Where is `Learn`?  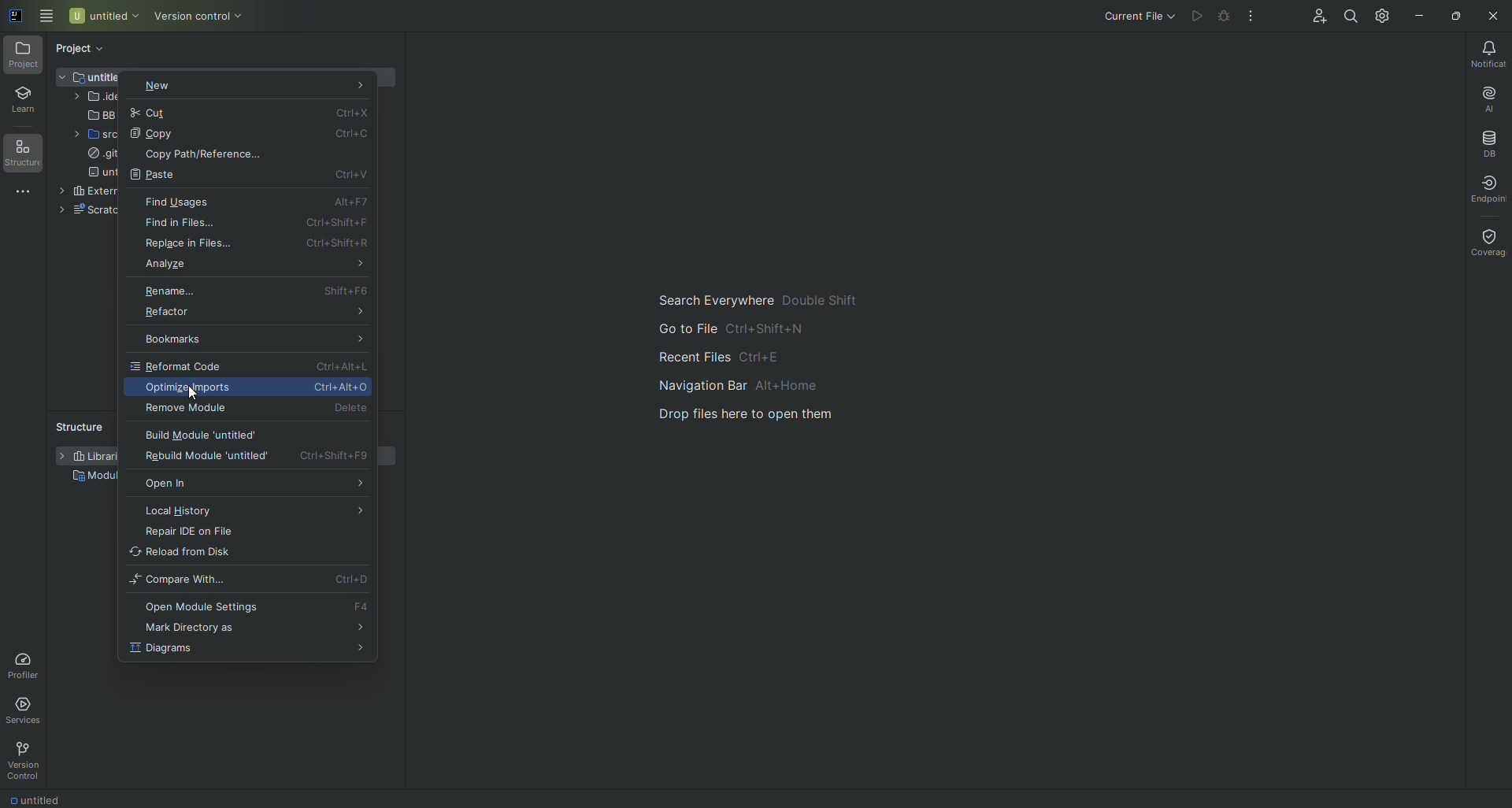
Learn is located at coordinates (23, 102).